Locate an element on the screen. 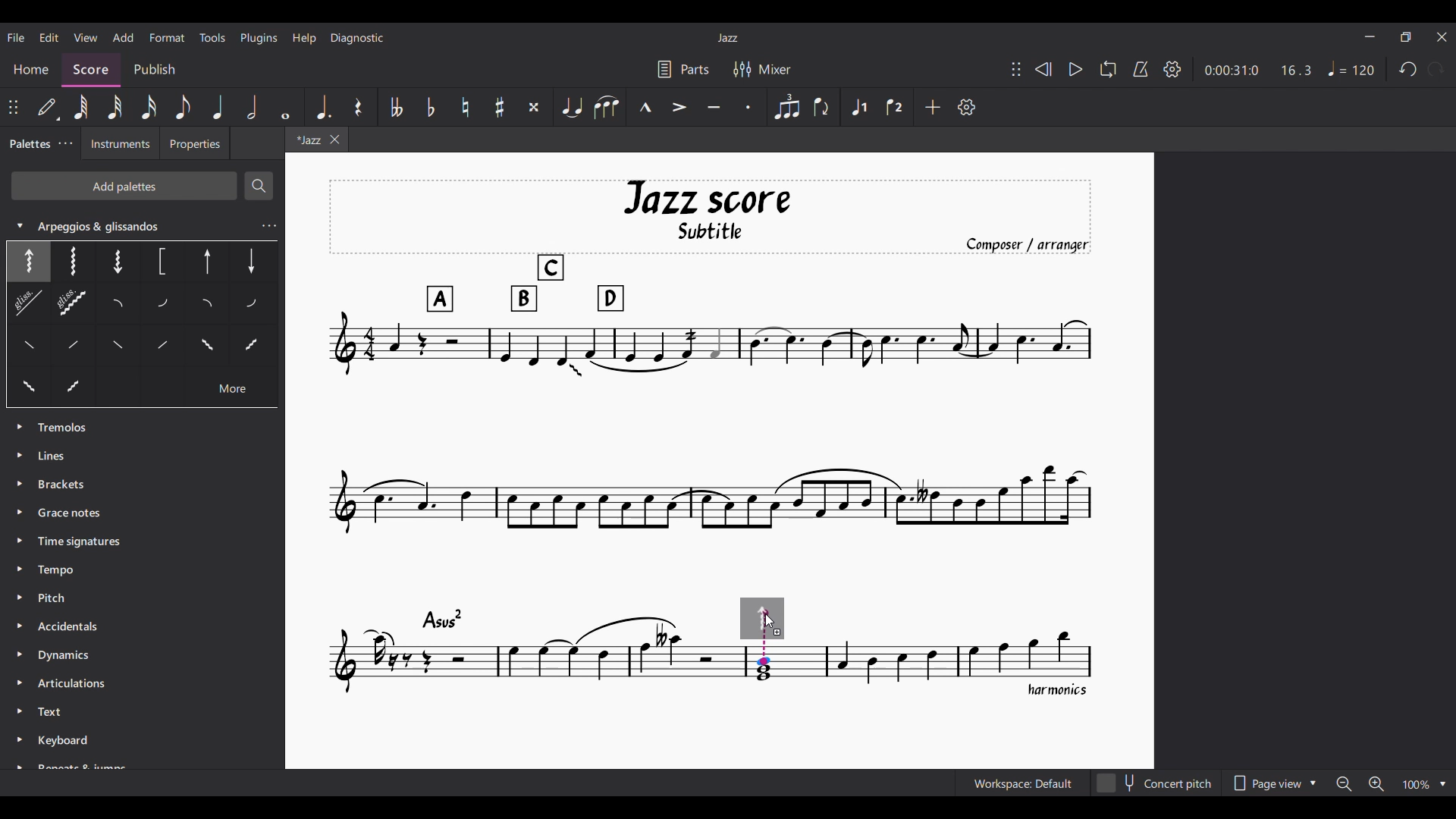 This screenshot has height=819, width=1456. Zoom options is located at coordinates (1392, 783).